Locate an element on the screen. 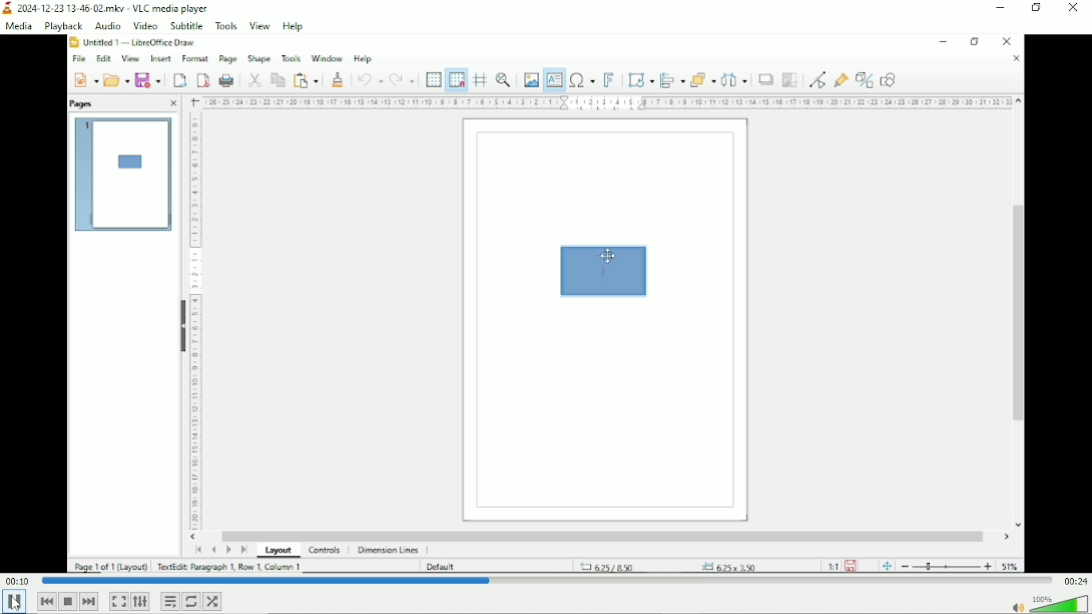 The height and width of the screenshot is (614, 1092). Tools is located at coordinates (227, 27).